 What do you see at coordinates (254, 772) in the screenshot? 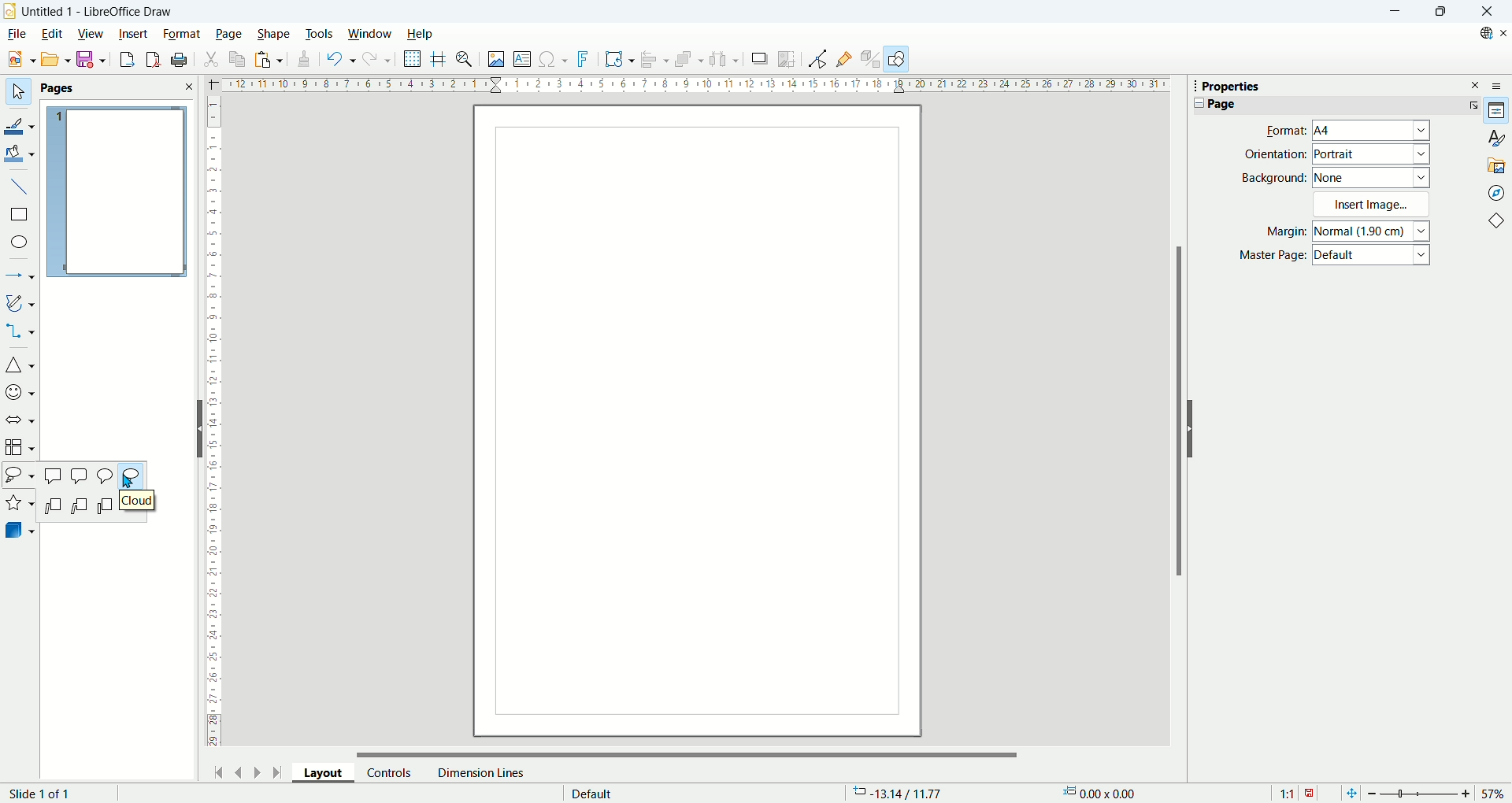
I see `next page` at bounding box center [254, 772].